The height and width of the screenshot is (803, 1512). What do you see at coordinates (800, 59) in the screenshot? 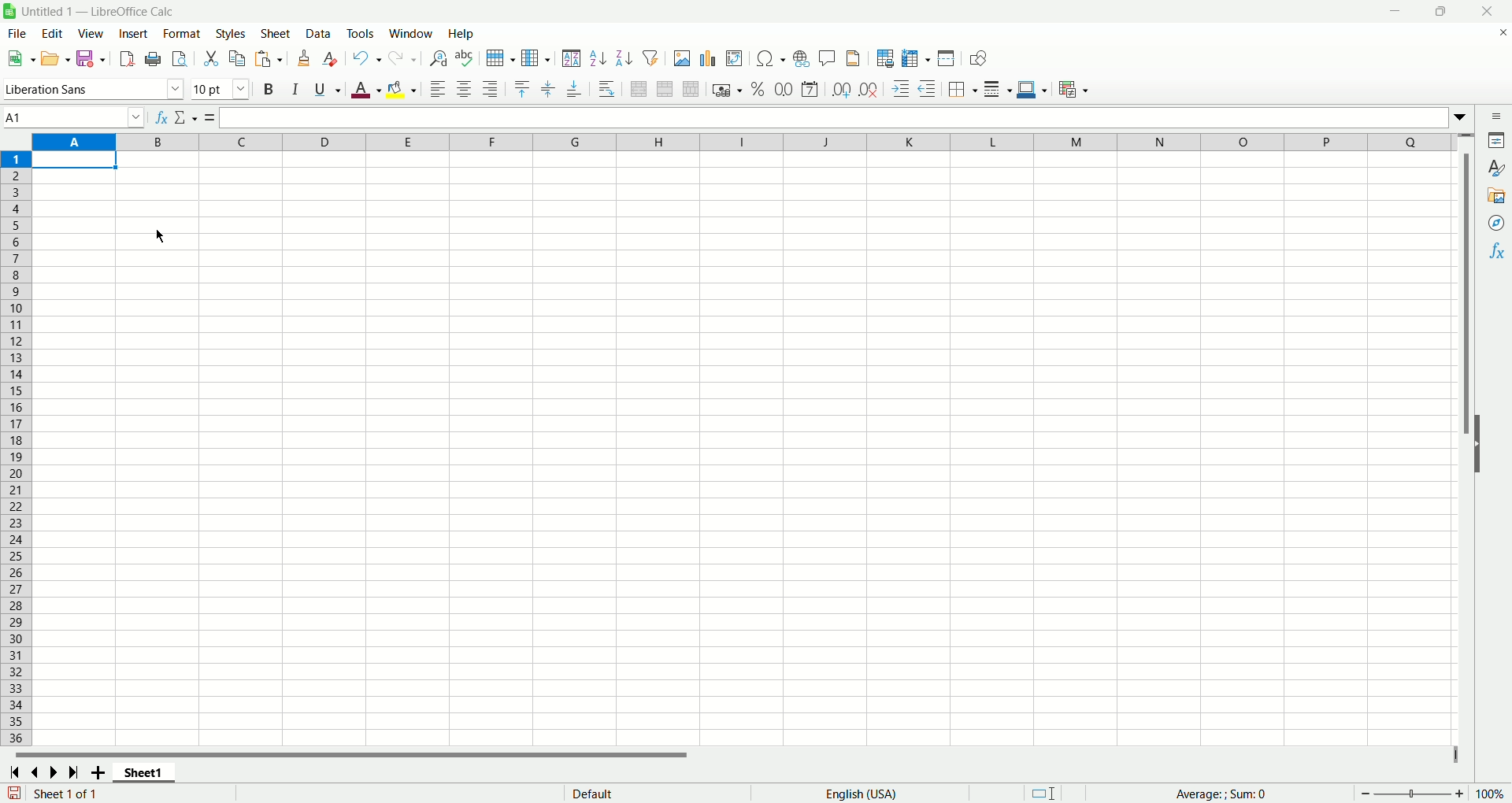
I see `insert hyperlink` at bounding box center [800, 59].